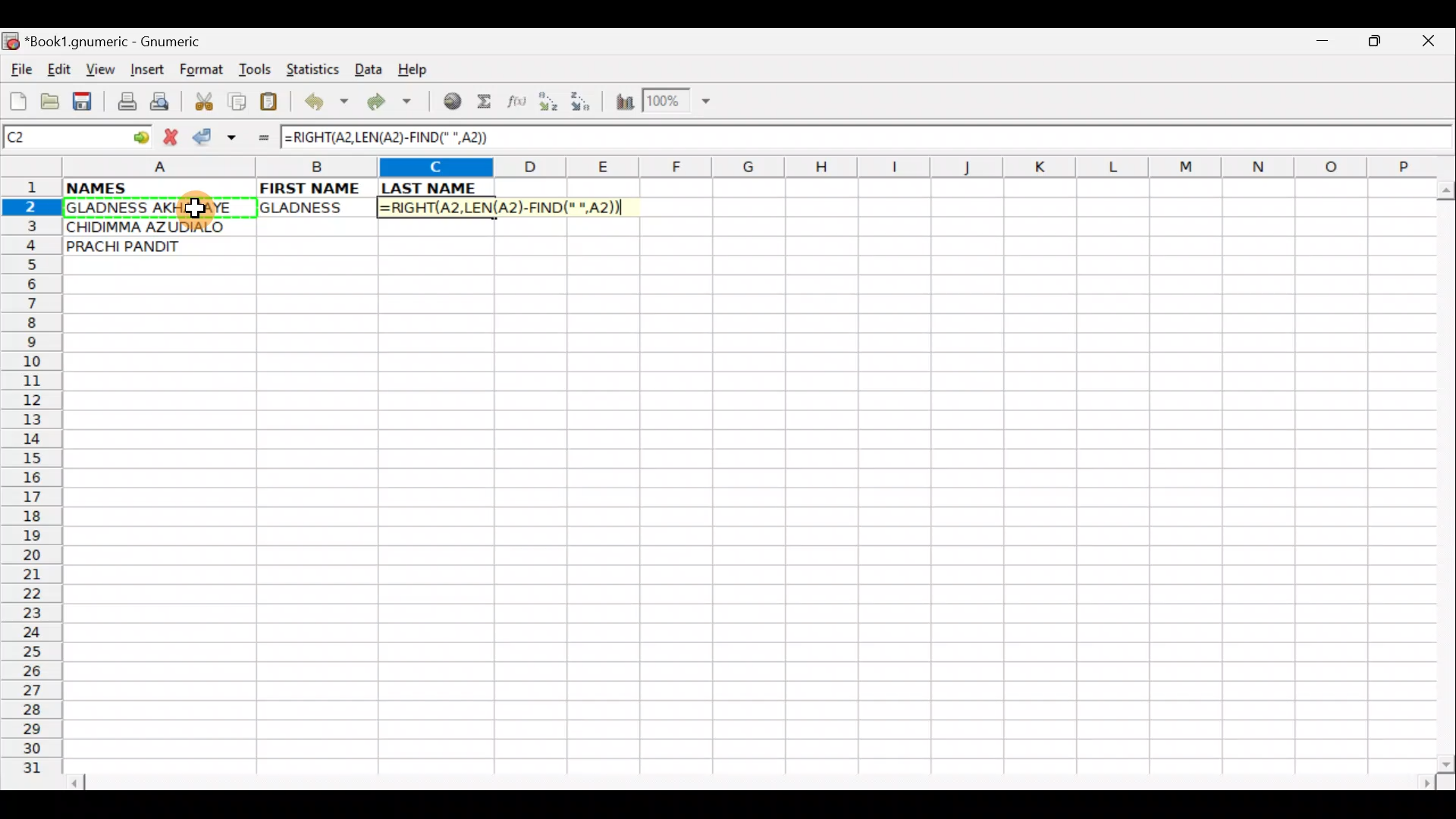 The width and height of the screenshot is (1456, 819). I want to click on NAMES, so click(142, 187).